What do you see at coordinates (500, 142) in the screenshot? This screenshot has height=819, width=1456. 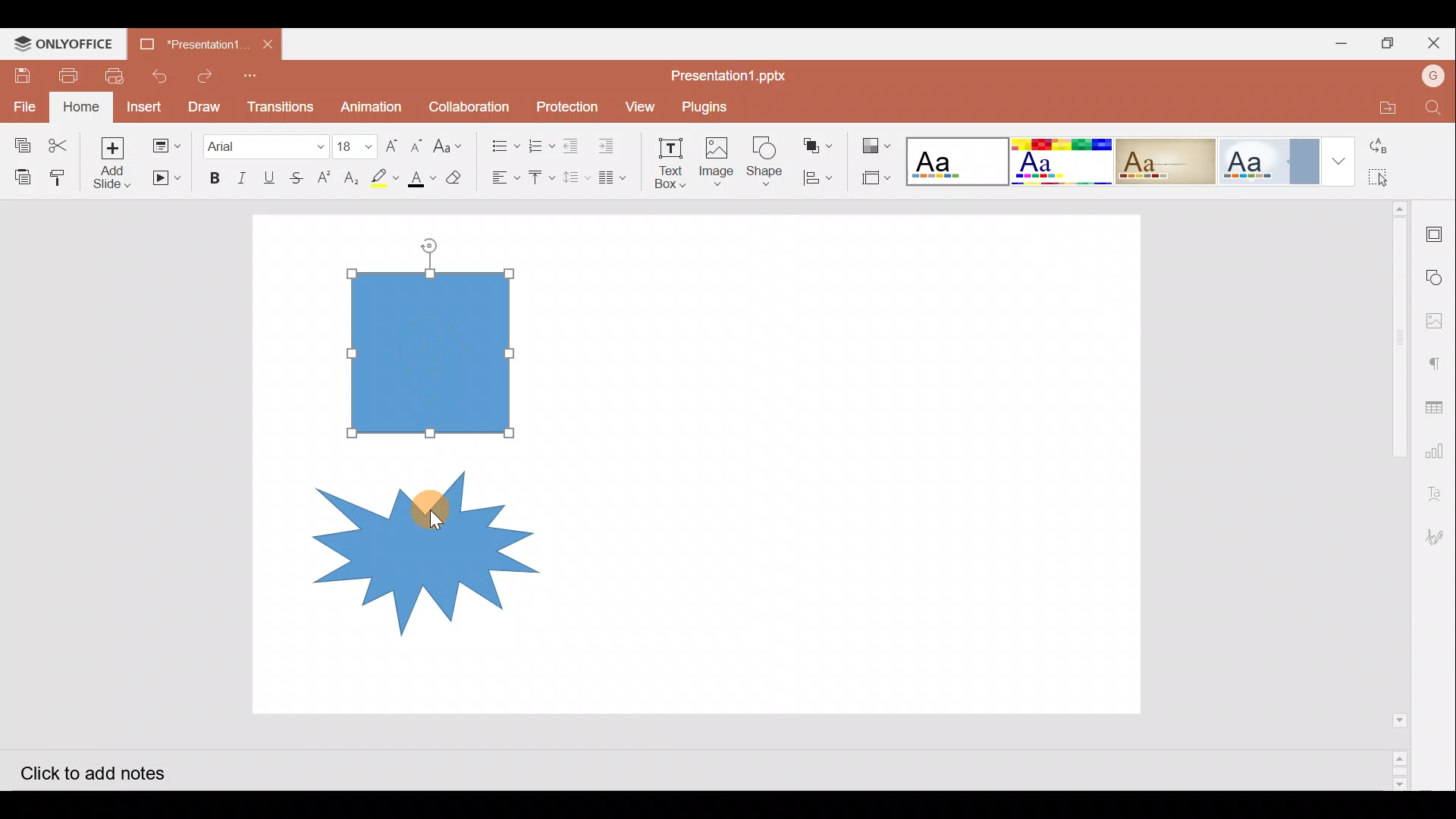 I see `Bullets` at bounding box center [500, 142].